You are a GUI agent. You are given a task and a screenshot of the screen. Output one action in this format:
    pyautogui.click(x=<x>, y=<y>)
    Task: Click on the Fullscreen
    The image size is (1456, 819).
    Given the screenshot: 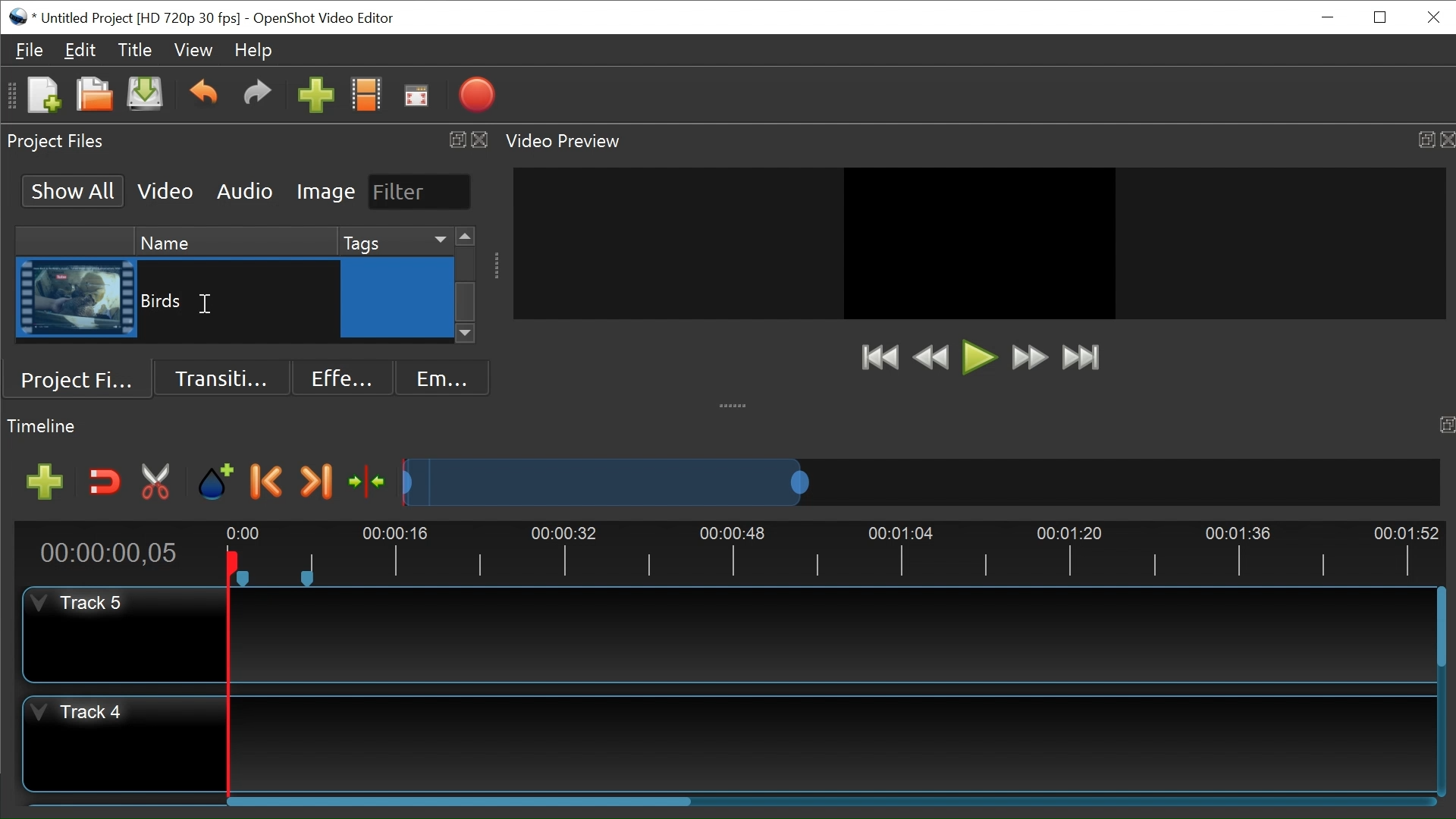 What is the action you would take?
    pyautogui.click(x=416, y=96)
    